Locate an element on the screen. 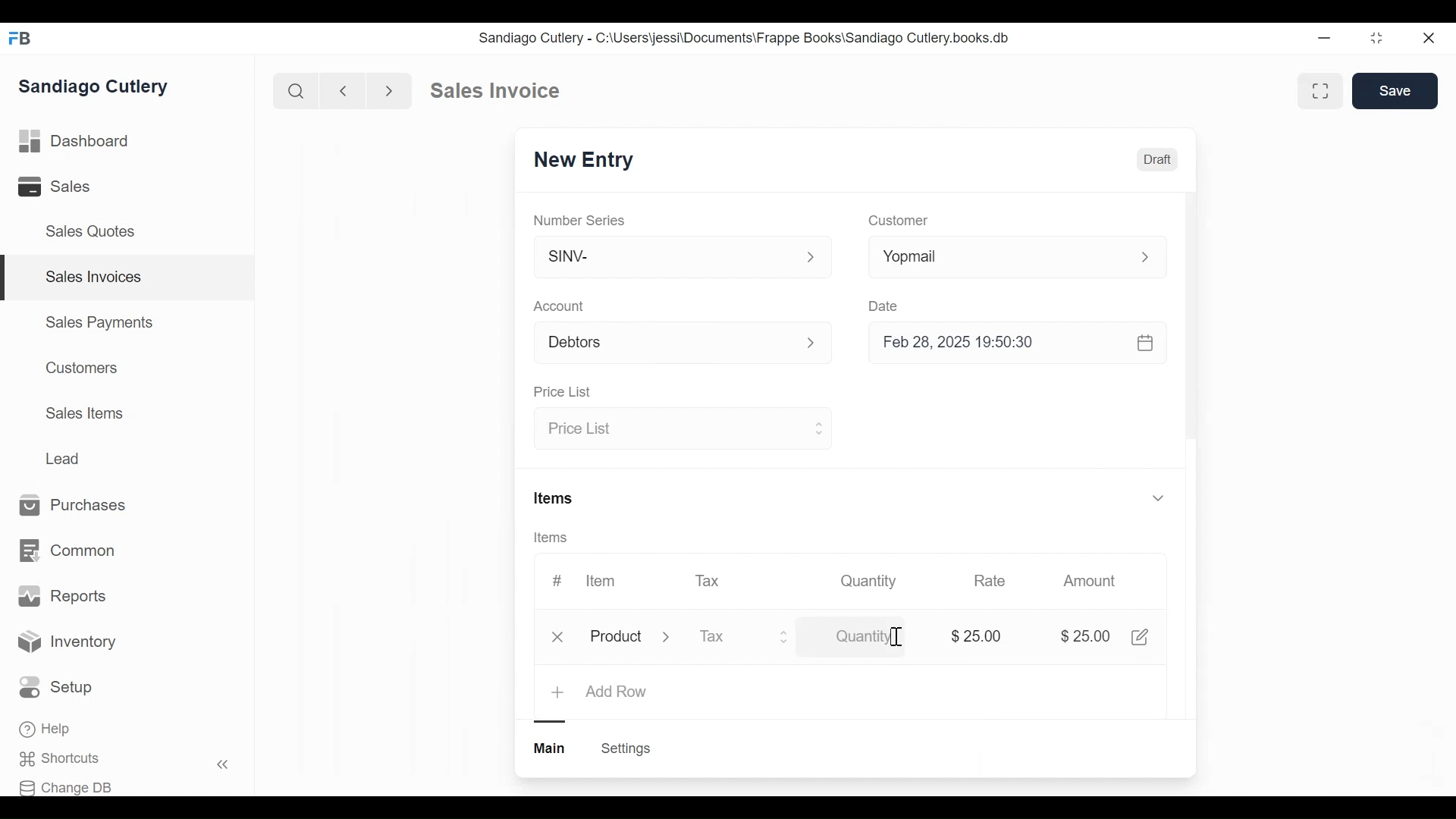  Customer is located at coordinates (896, 221).